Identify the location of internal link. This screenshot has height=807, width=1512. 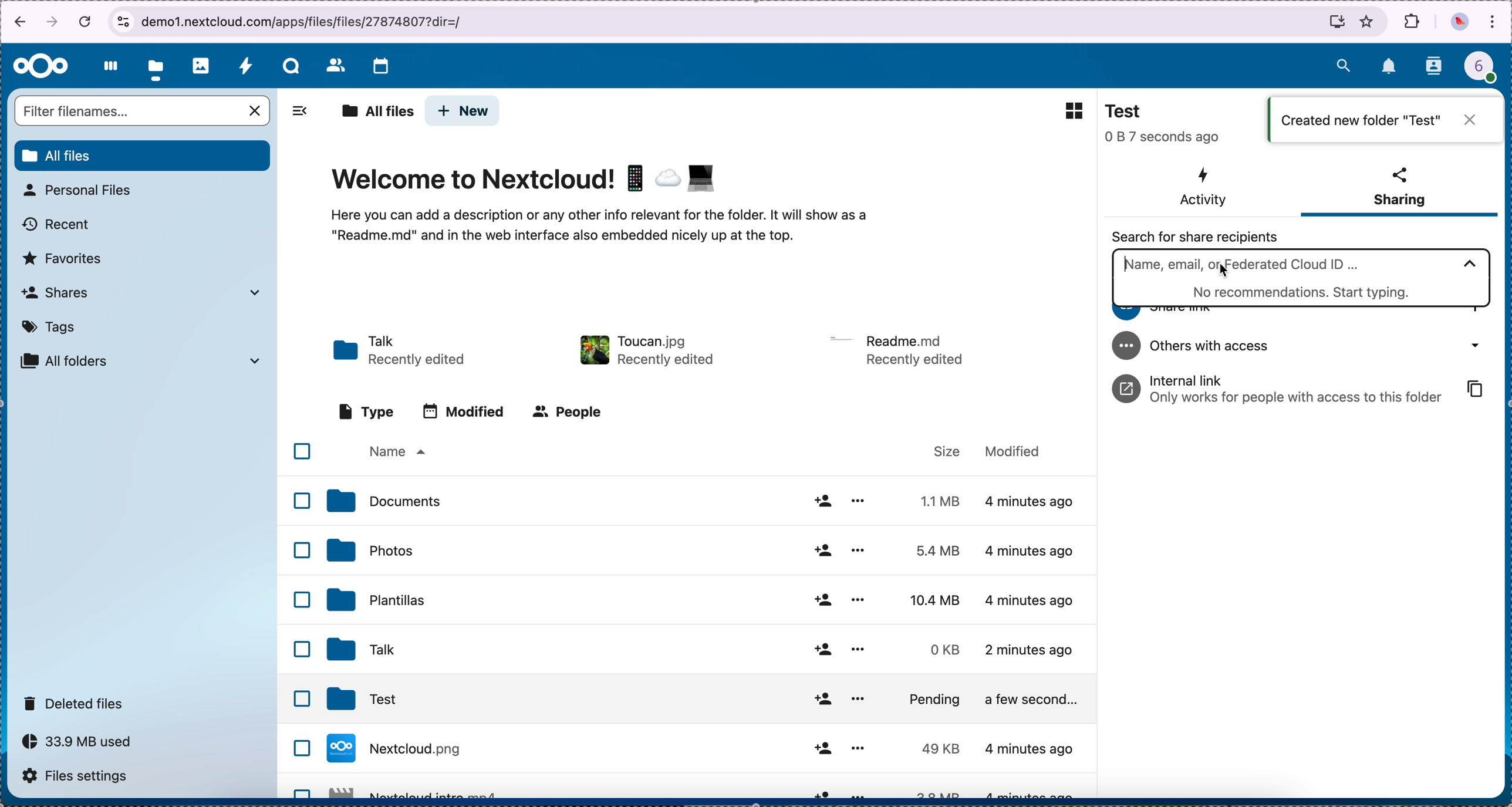
(1300, 387).